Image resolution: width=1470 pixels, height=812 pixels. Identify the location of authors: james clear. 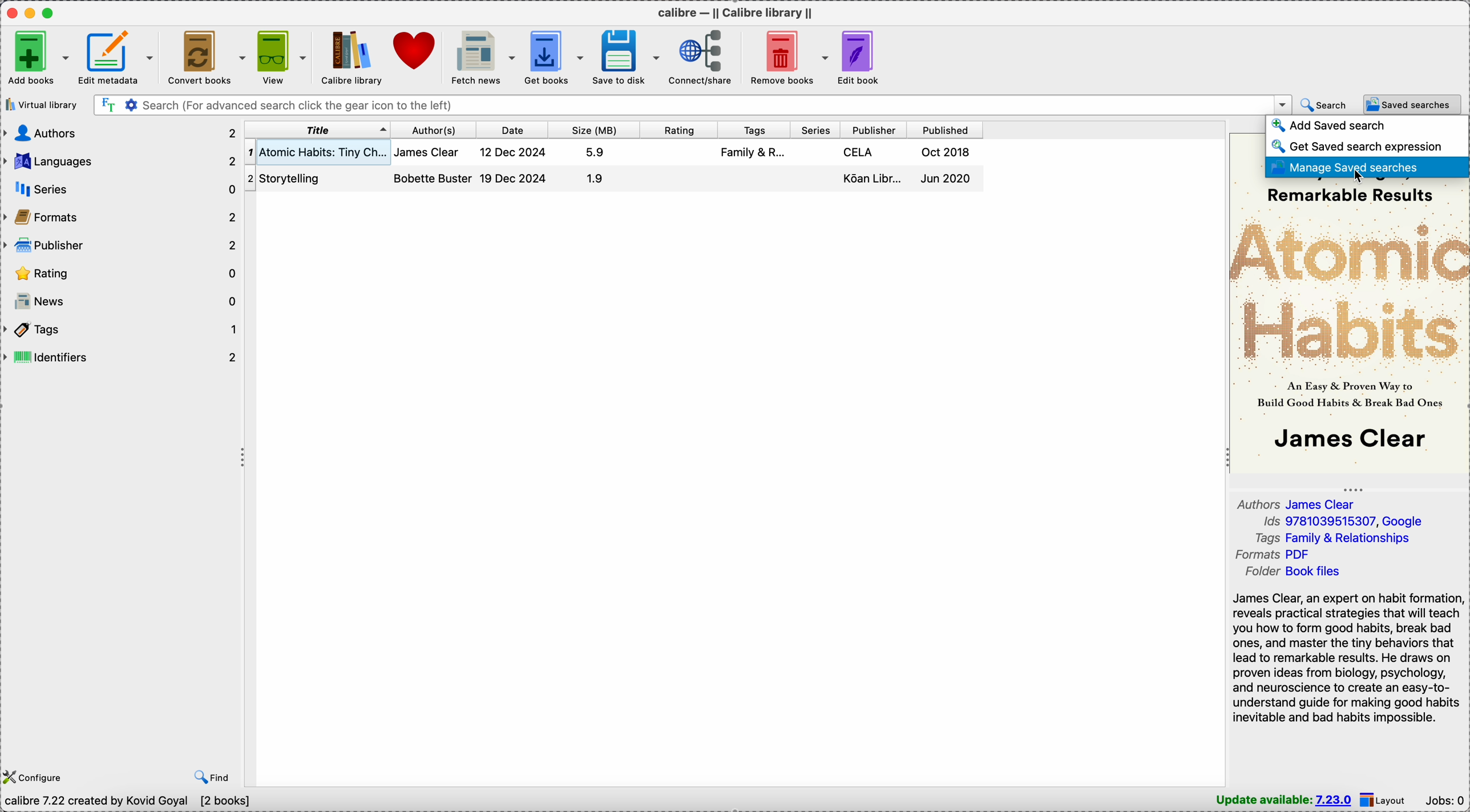
(1301, 504).